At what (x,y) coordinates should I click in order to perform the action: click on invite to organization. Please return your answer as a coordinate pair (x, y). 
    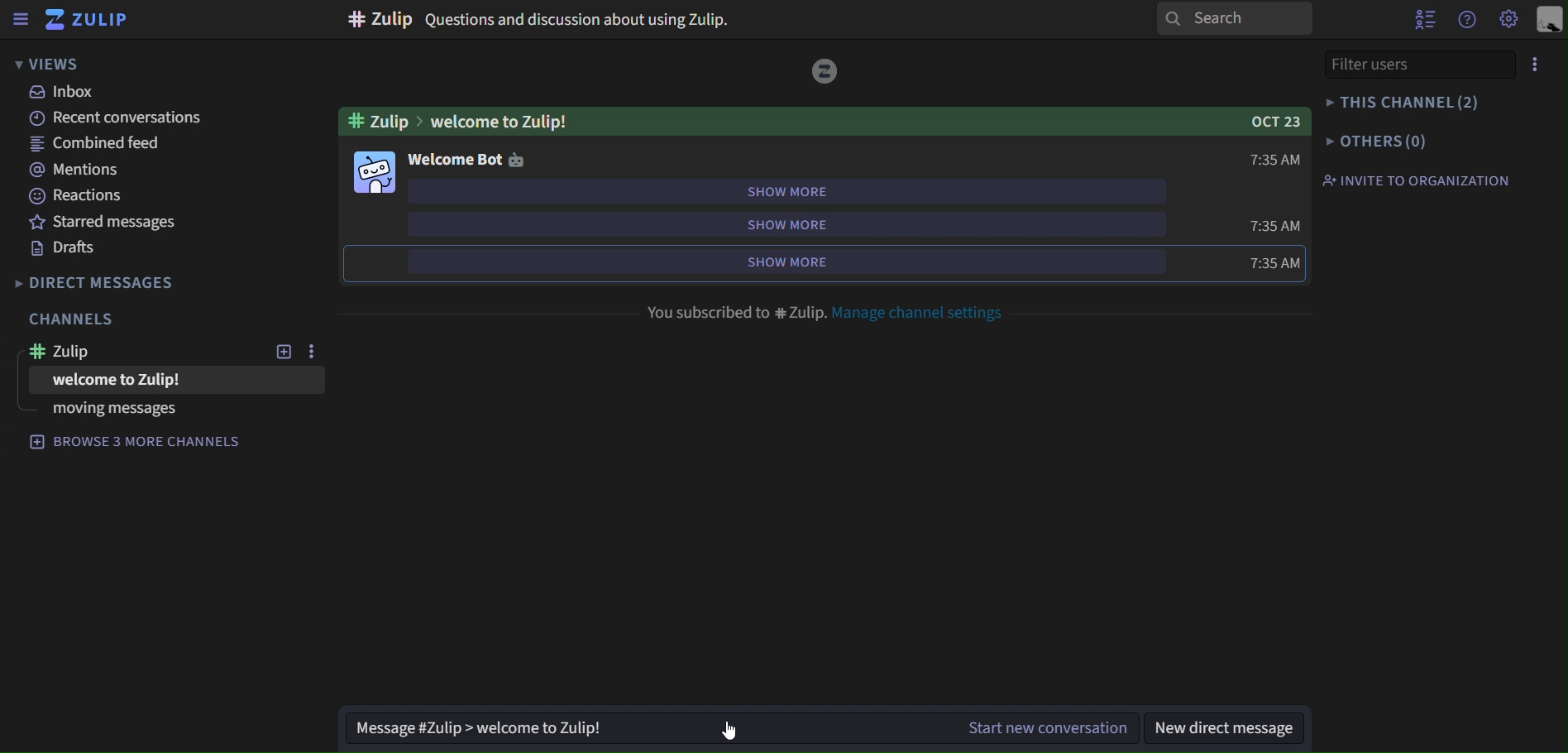
    Looking at the image, I should click on (1420, 180).